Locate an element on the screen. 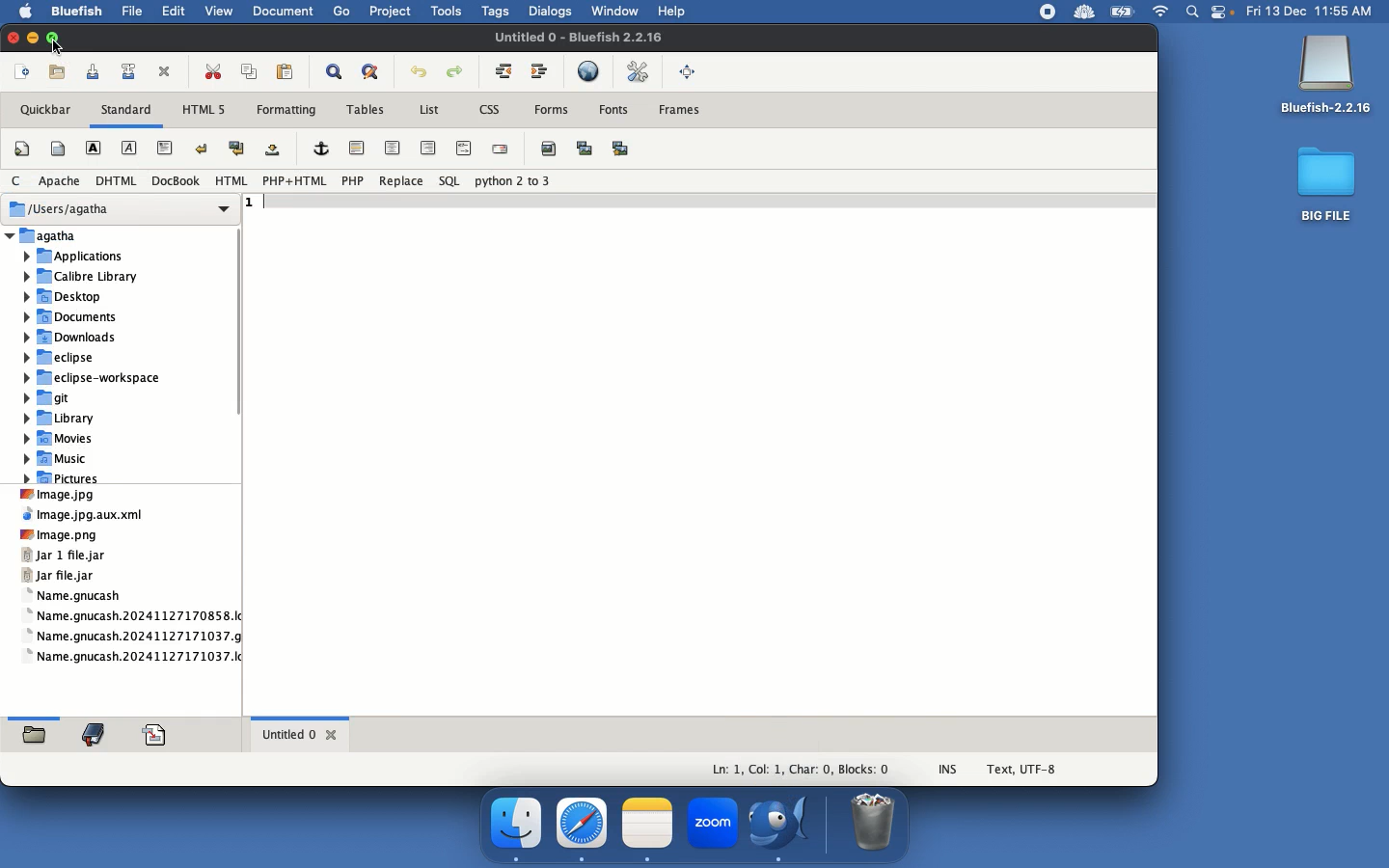 This screenshot has height=868, width=1389. Help is located at coordinates (678, 12).